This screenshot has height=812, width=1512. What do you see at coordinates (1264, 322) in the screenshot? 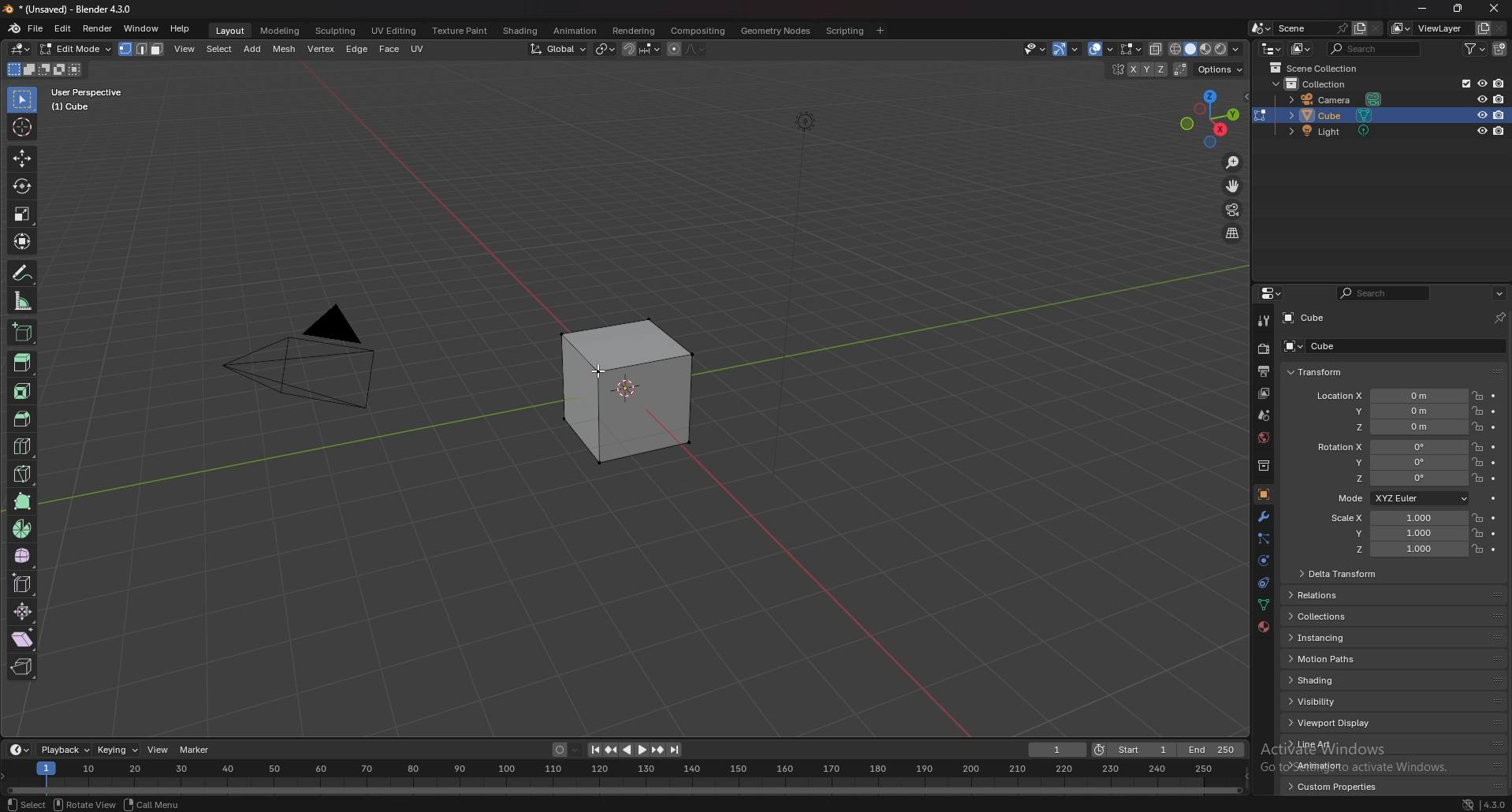
I see `tool` at bounding box center [1264, 322].